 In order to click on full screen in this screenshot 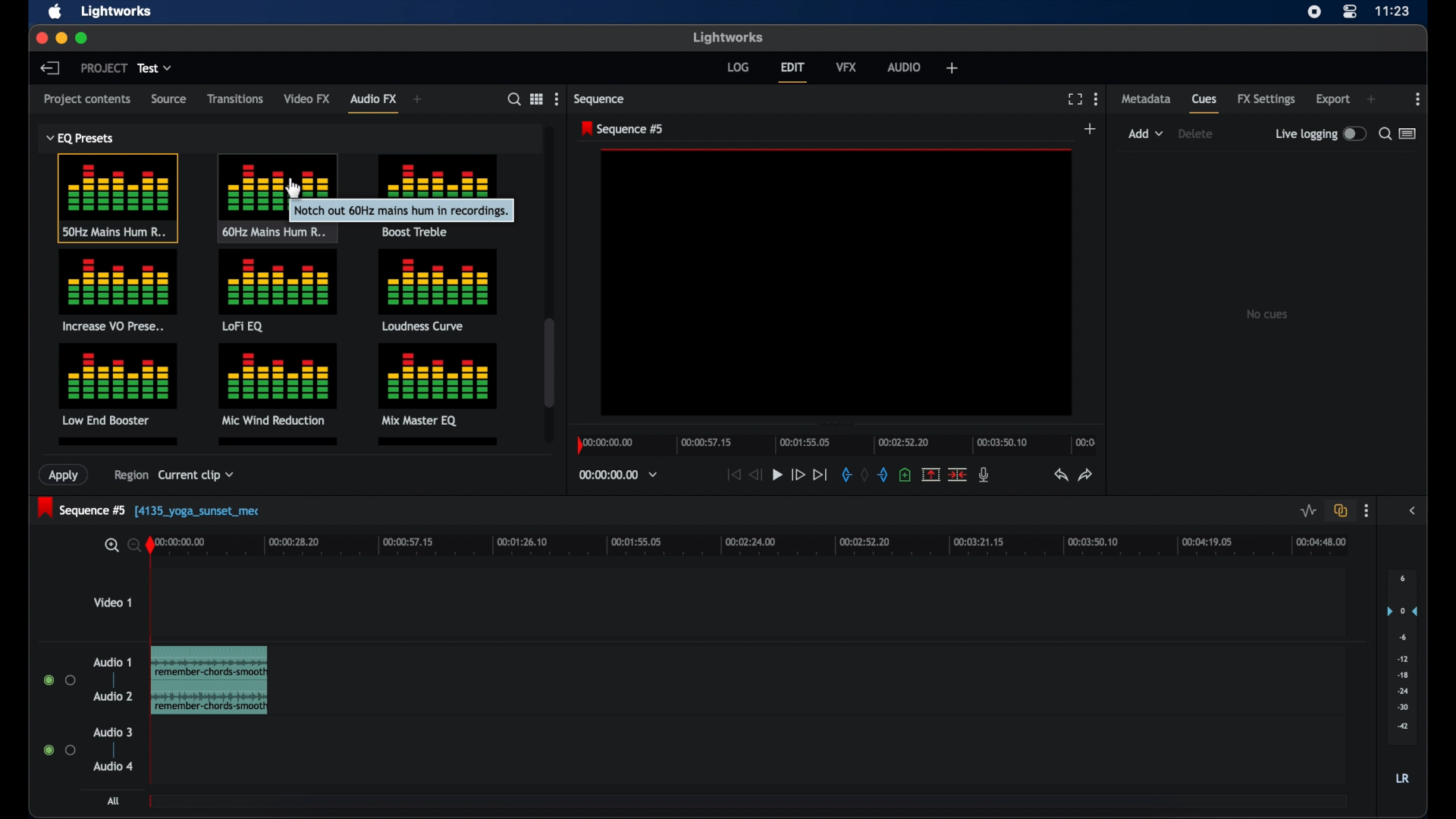, I will do `click(1075, 99)`.